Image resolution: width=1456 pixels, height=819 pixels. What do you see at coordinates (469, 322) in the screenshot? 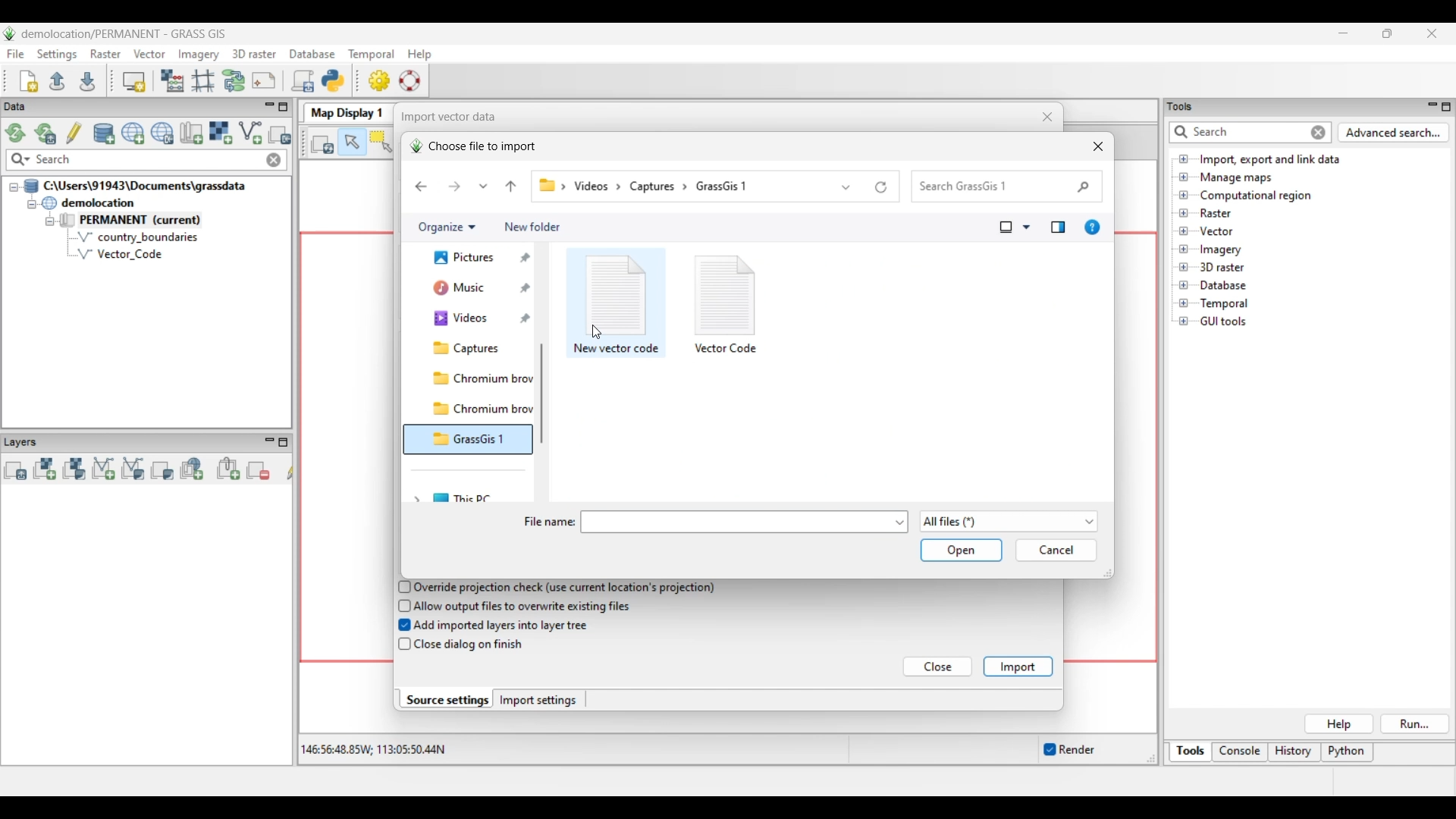
I see `music` at bounding box center [469, 322].